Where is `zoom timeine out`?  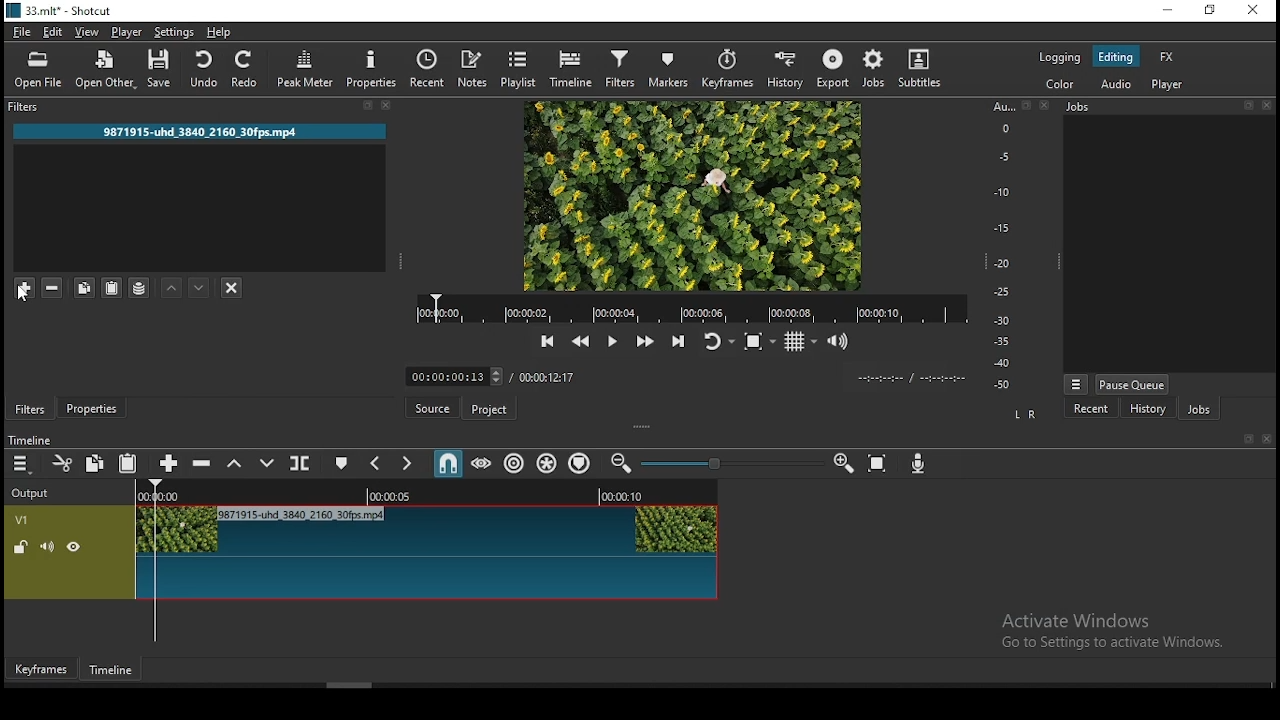 zoom timeine out is located at coordinates (619, 465).